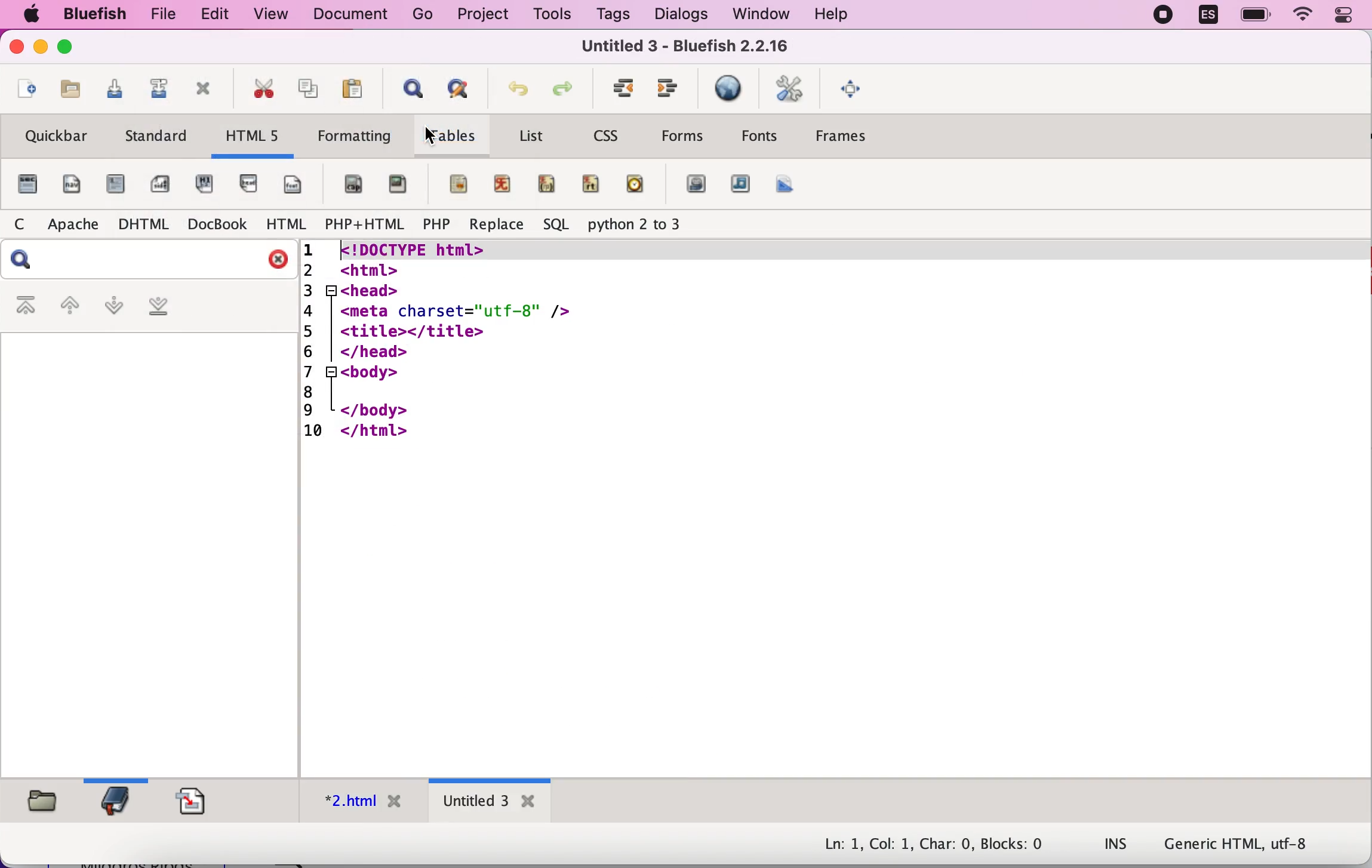 Image resolution: width=1372 pixels, height=868 pixels. What do you see at coordinates (430, 137) in the screenshot?
I see `cursor` at bounding box center [430, 137].